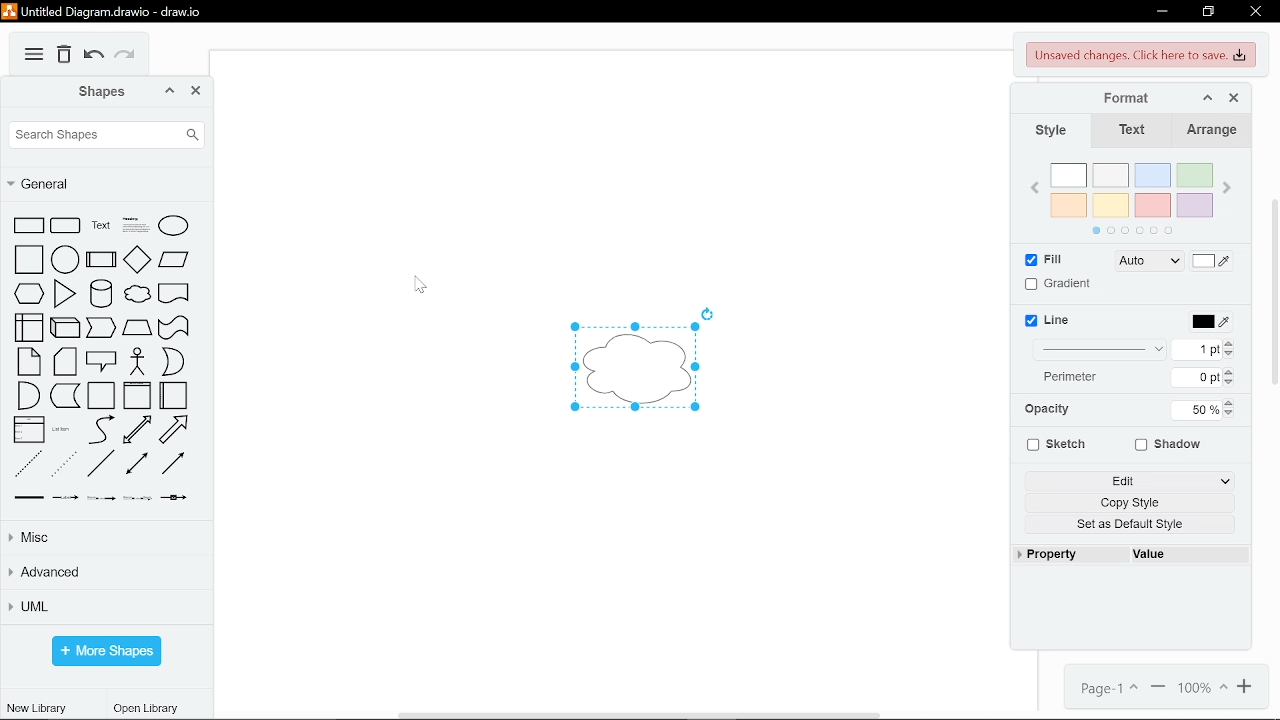  I want to click on connector with two label, so click(103, 498).